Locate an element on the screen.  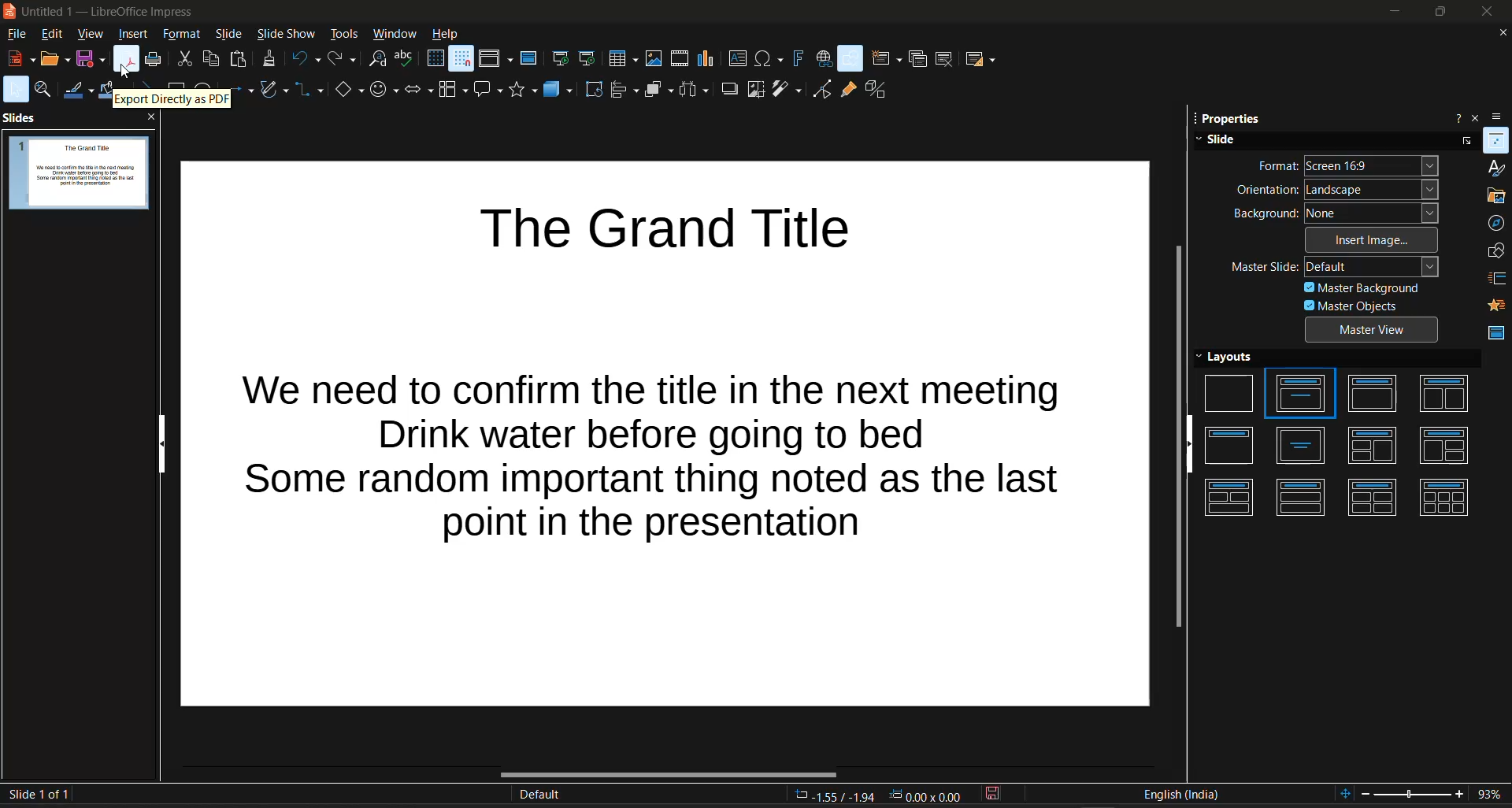
fill color is located at coordinates (106, 90).